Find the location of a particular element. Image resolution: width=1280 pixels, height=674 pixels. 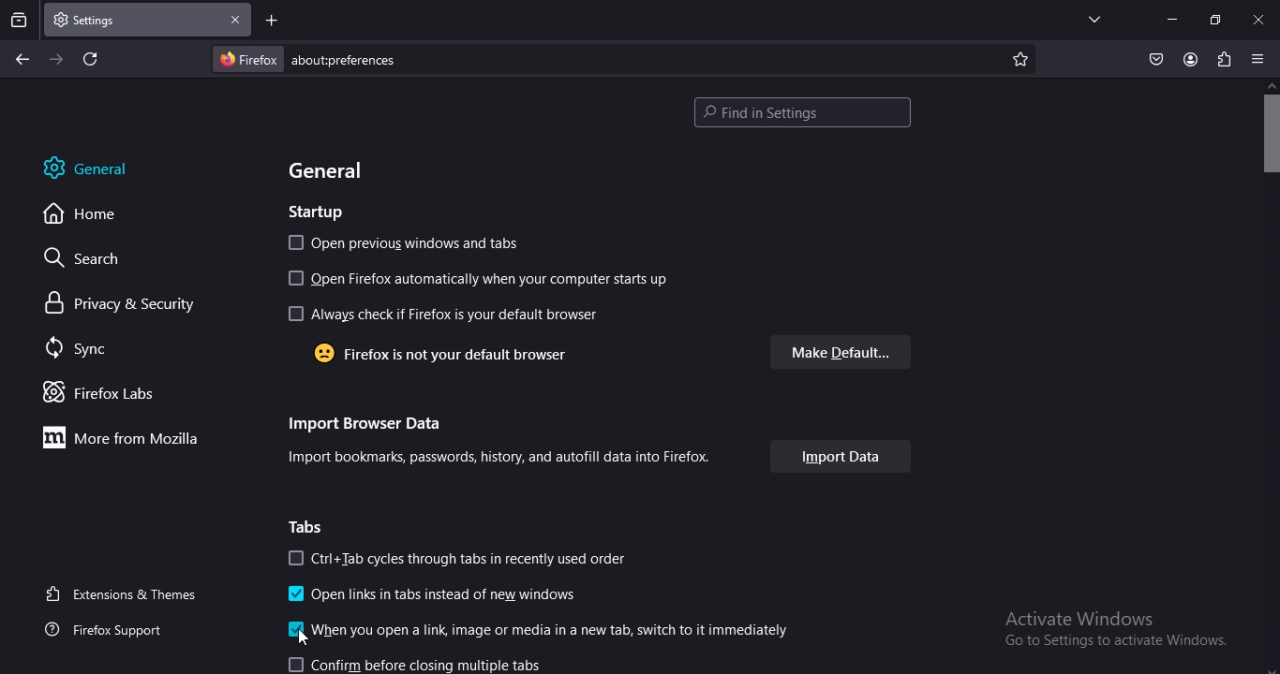

reload current page is located at coordinates (89, 59).